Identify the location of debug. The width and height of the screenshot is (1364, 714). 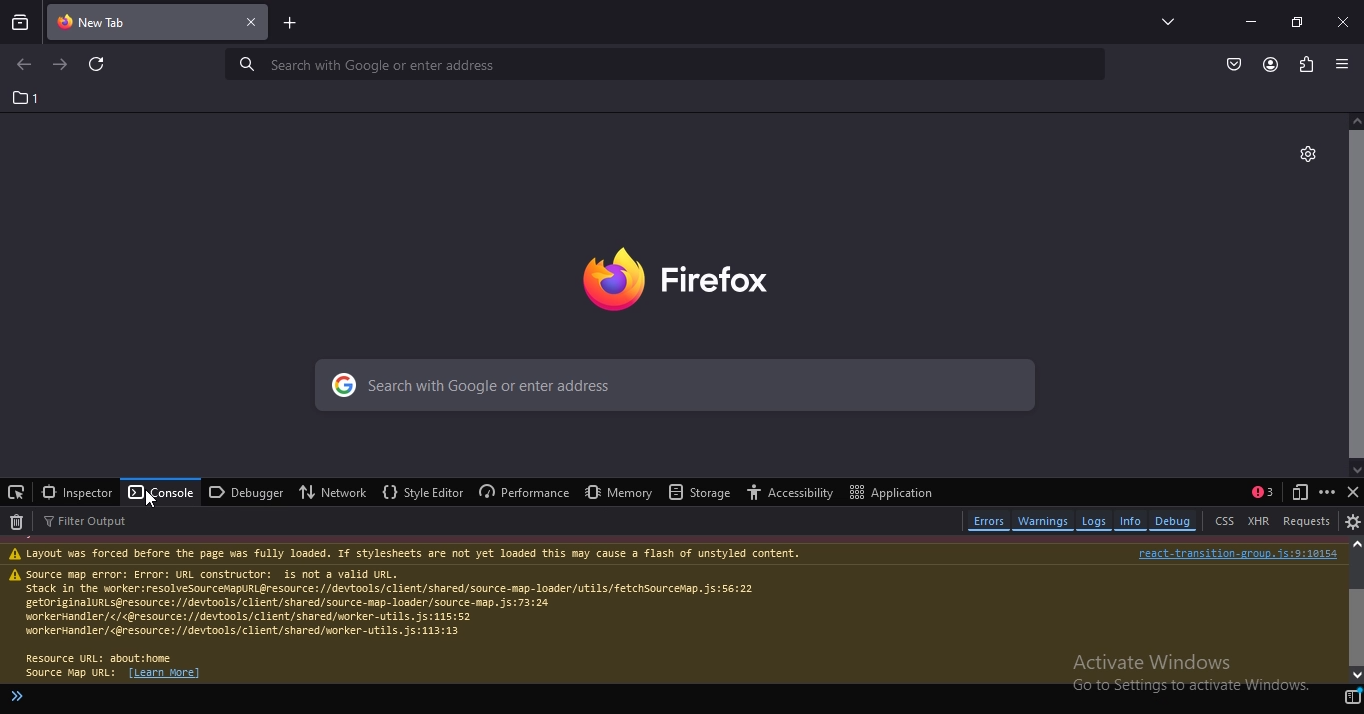
(1176, 520).